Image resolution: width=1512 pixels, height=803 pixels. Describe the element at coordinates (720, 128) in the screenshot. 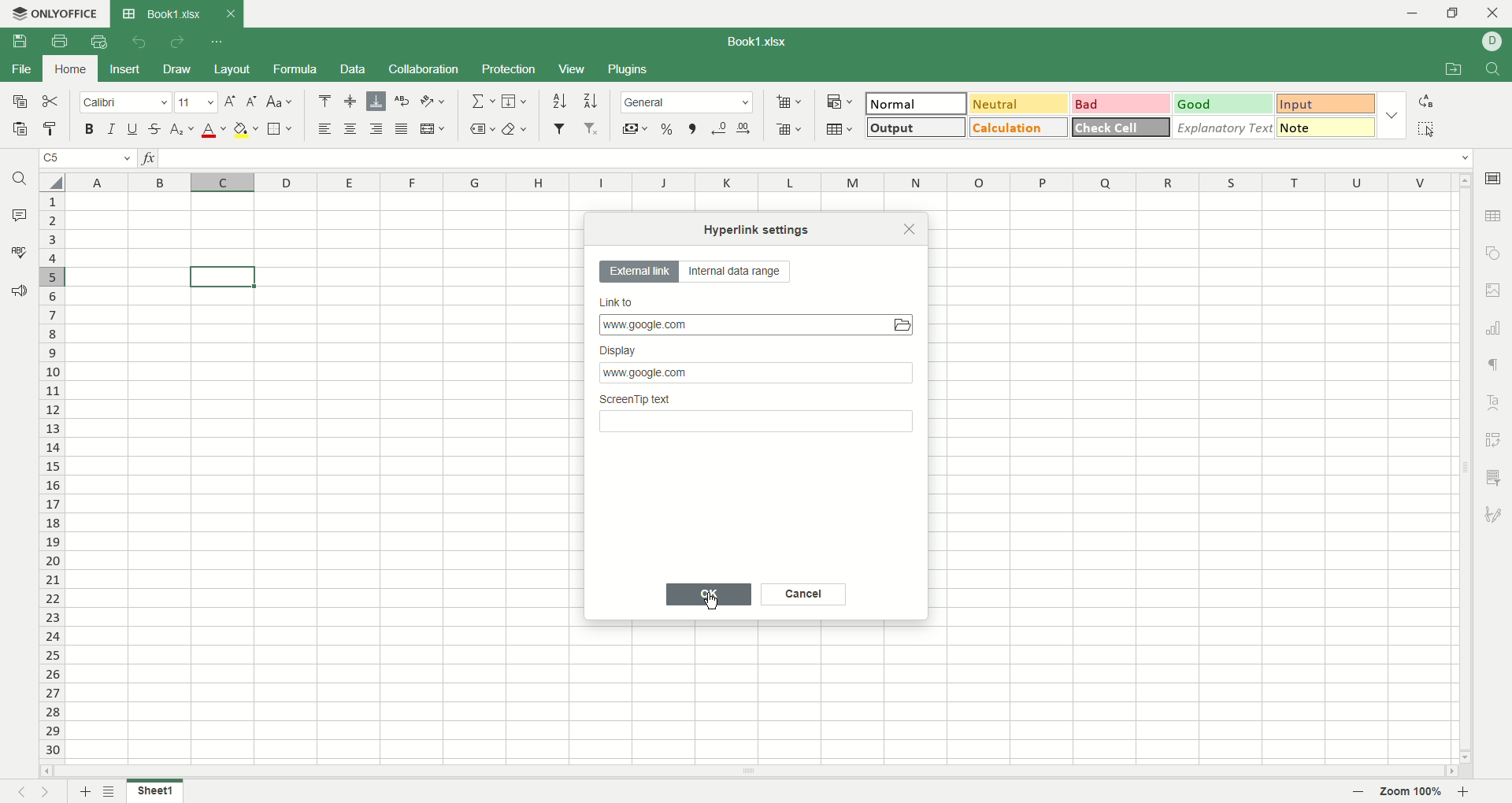

I see `decrease decimal` at that location.